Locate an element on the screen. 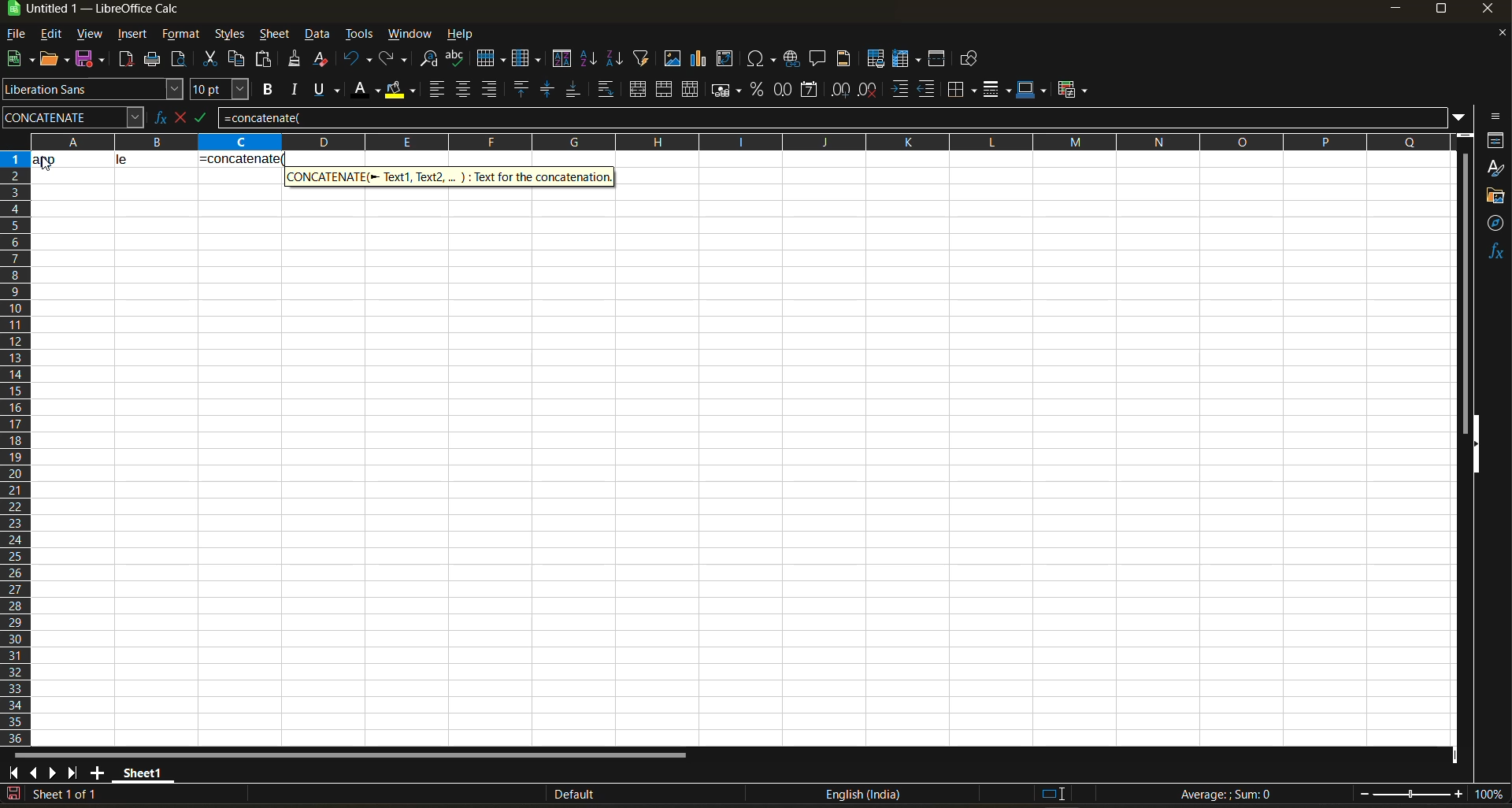  sort descending is located at coordinates (613, 58).